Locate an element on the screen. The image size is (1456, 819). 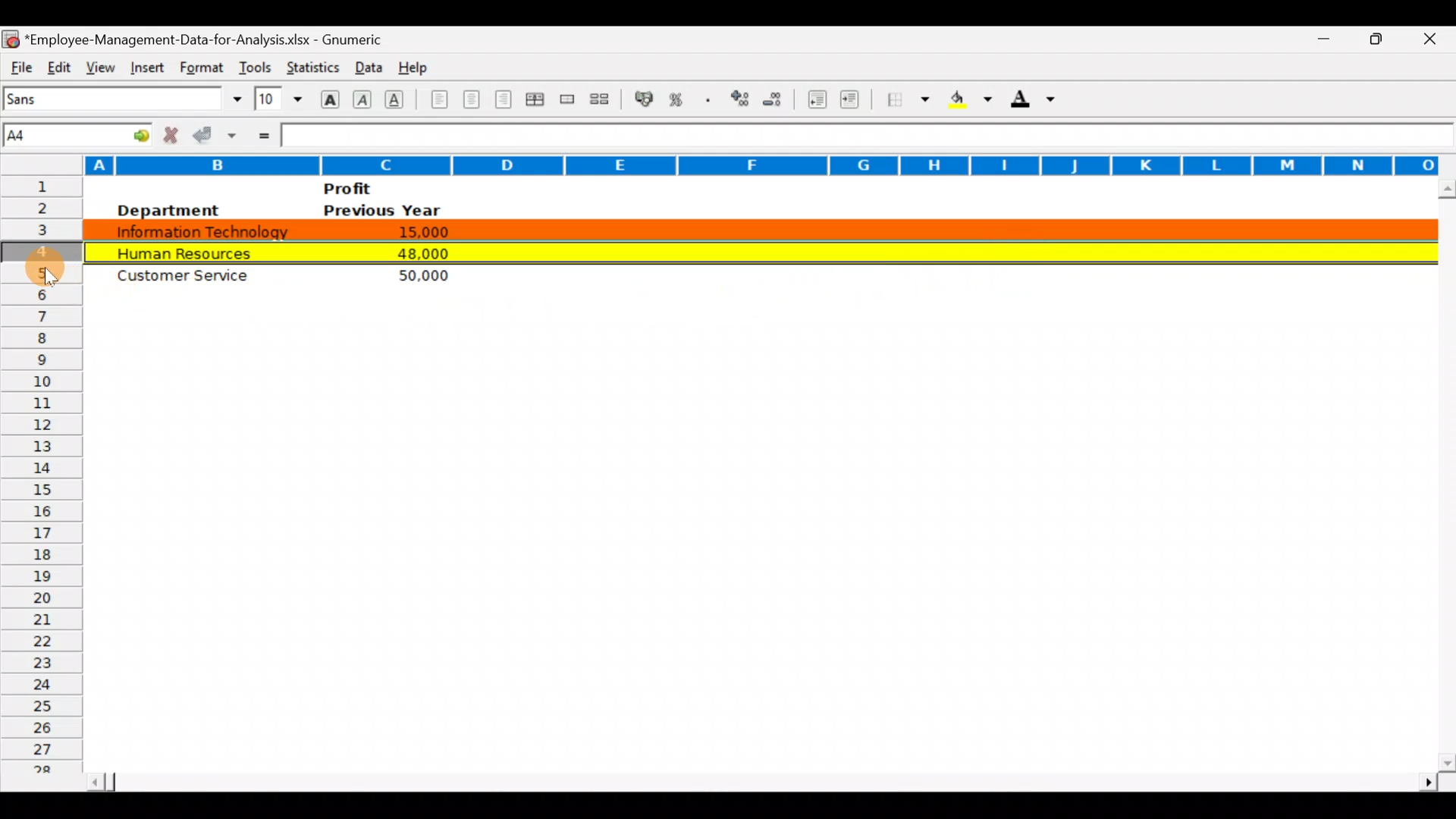
Format selection as accounting is located at coordinates (645, 97).